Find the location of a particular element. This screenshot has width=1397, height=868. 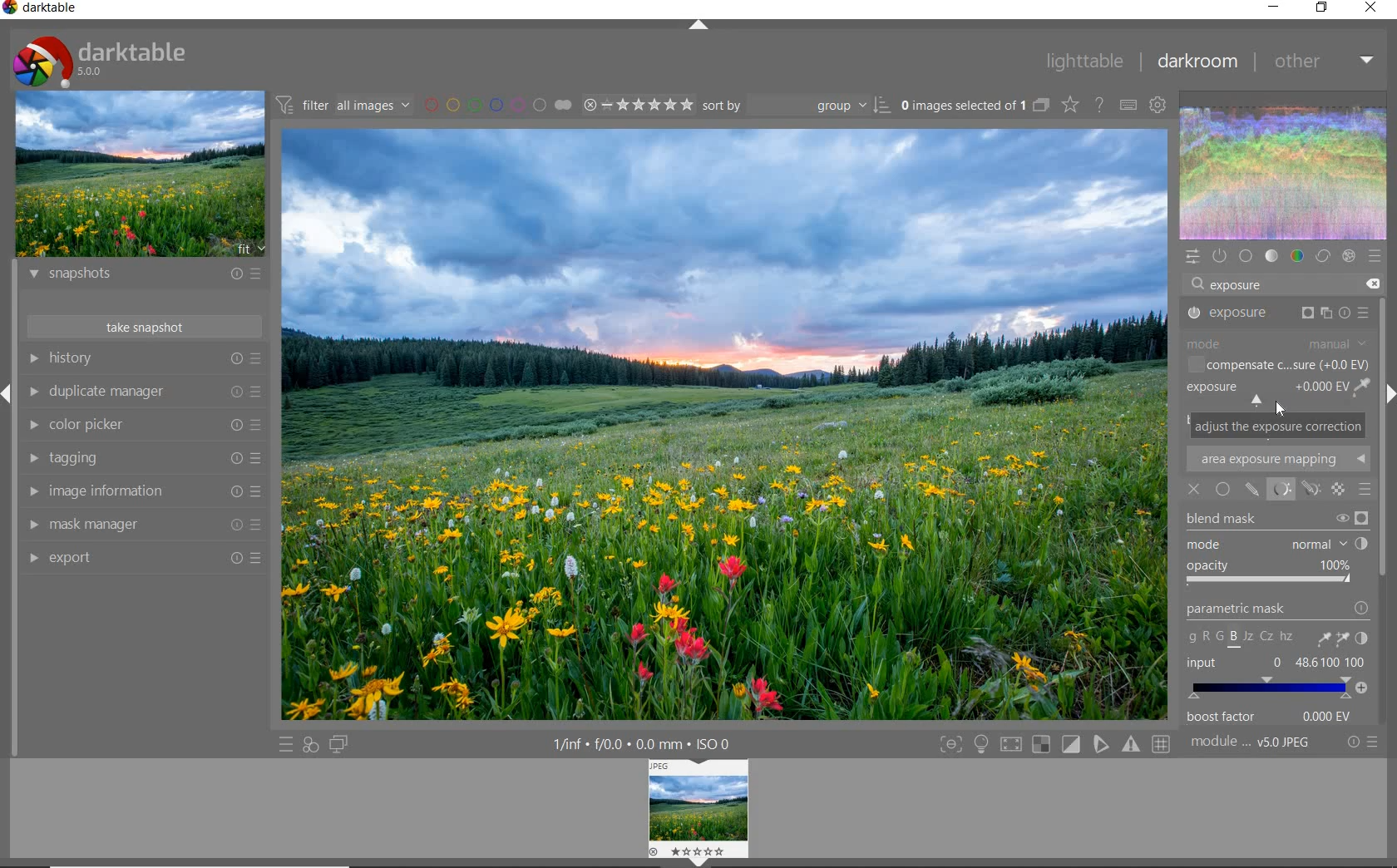

waveform is located at coordinates (1284, 172).